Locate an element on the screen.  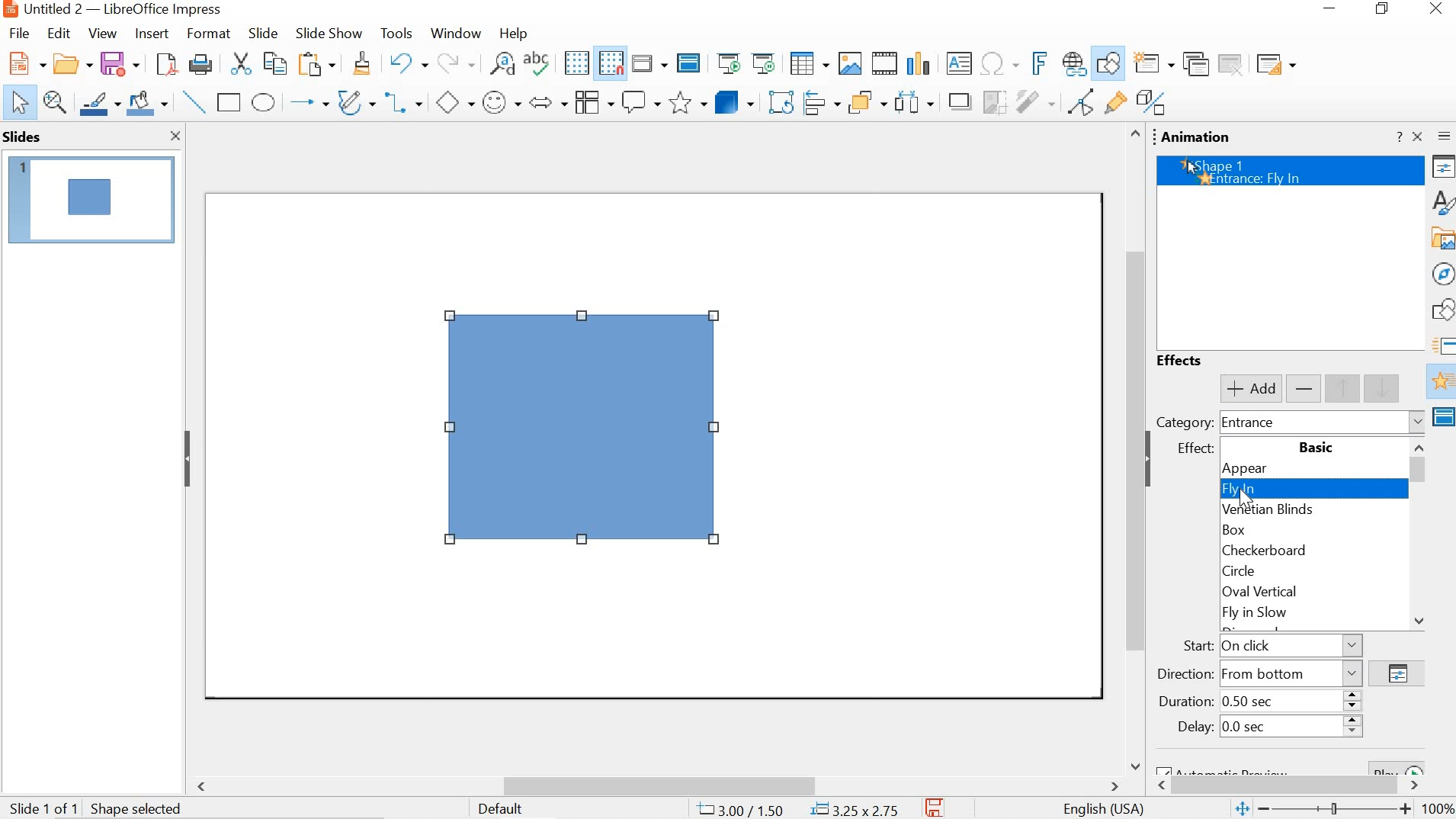
navigator is located at coordinates (1443, 271).